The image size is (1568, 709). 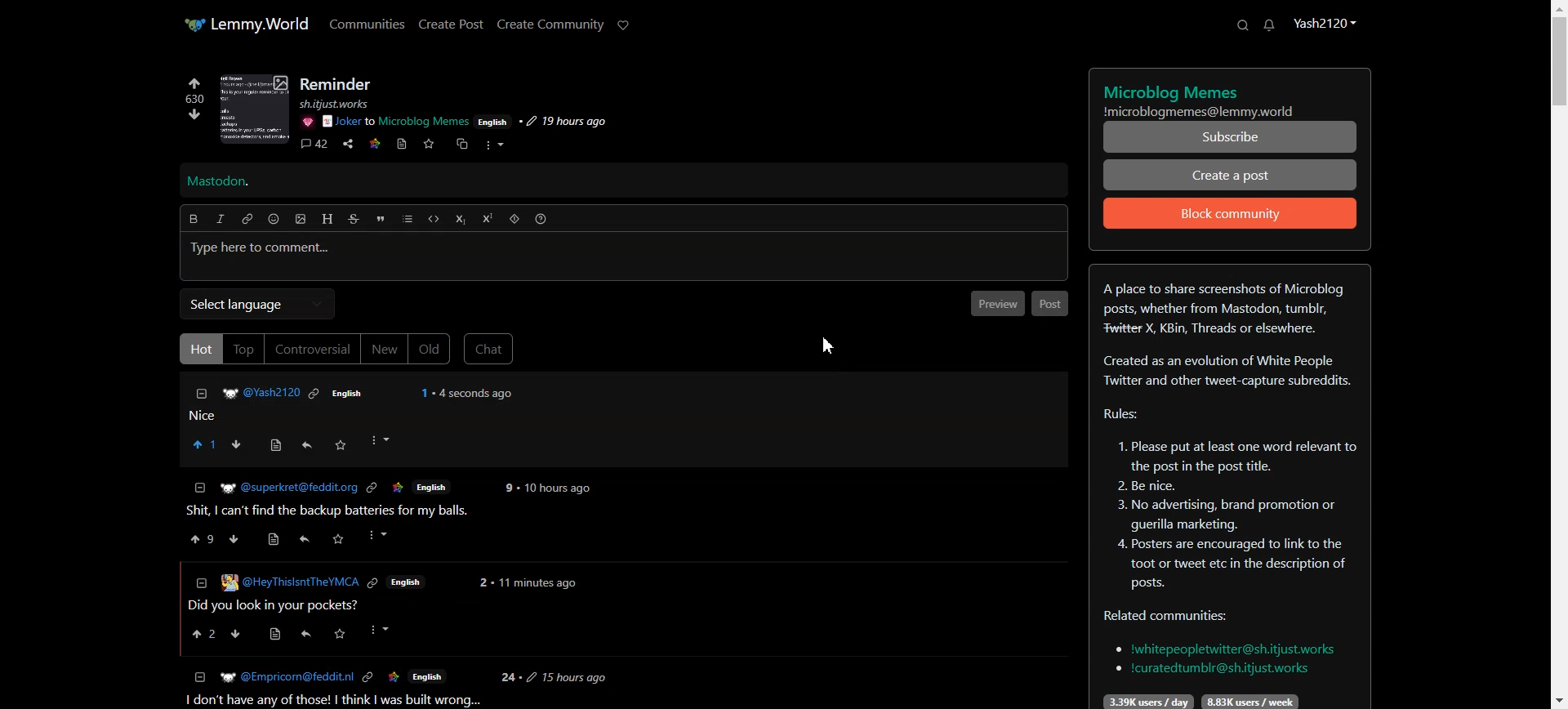 What do you see at coordinates (434, 219) in the screenshot?
I see `Code` at bounding box center [434, 219].